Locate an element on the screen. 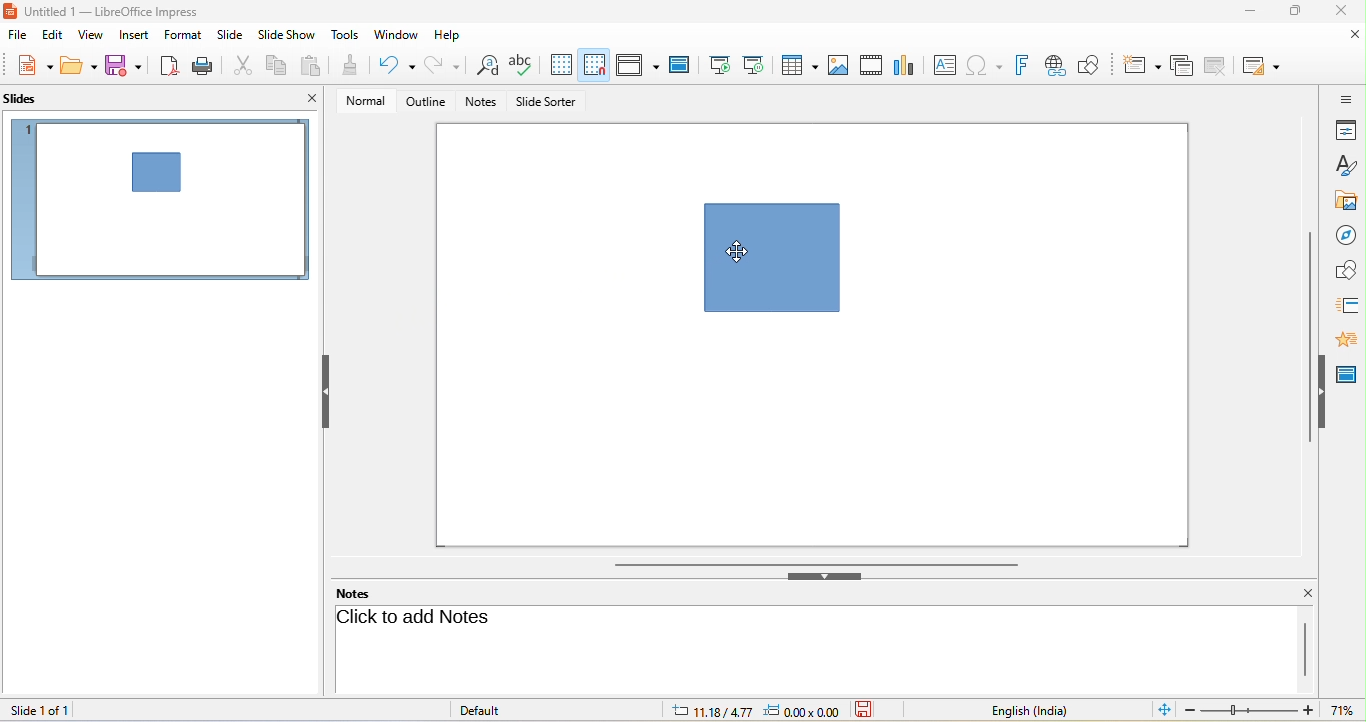 This screenshot has width=1366, height=722. table is located at coordinates (800, 65).